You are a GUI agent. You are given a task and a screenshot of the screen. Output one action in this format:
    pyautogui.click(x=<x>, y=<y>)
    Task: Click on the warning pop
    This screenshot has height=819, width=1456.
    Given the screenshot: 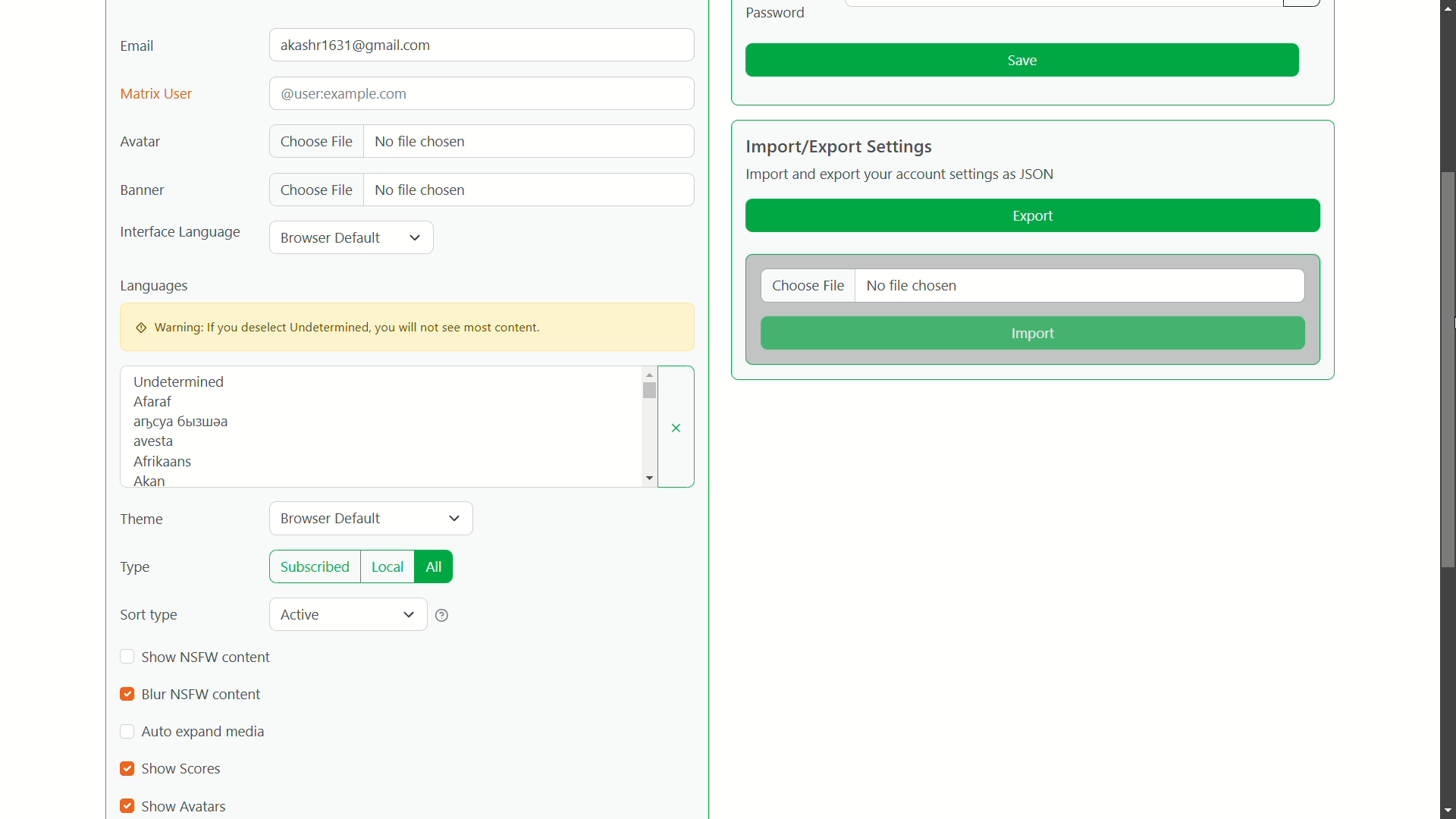 What is the action you would take?
    pyautogui.click(x=407, y=326)
    